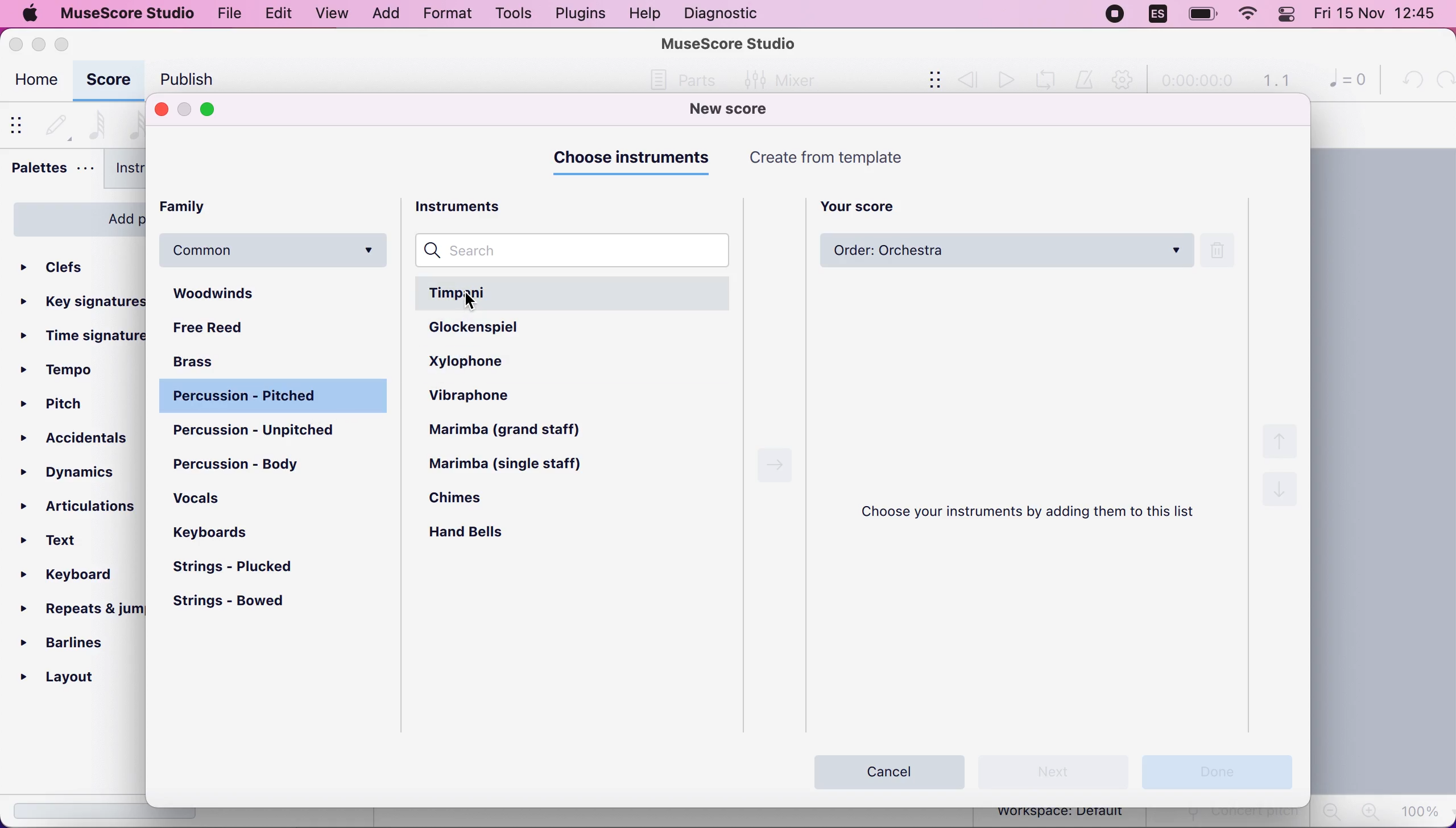 This screenshot has width=1456, height=828. Describe the element at coordinates (241, 568) in the screenshot. I see `strings - plucked` at that location.